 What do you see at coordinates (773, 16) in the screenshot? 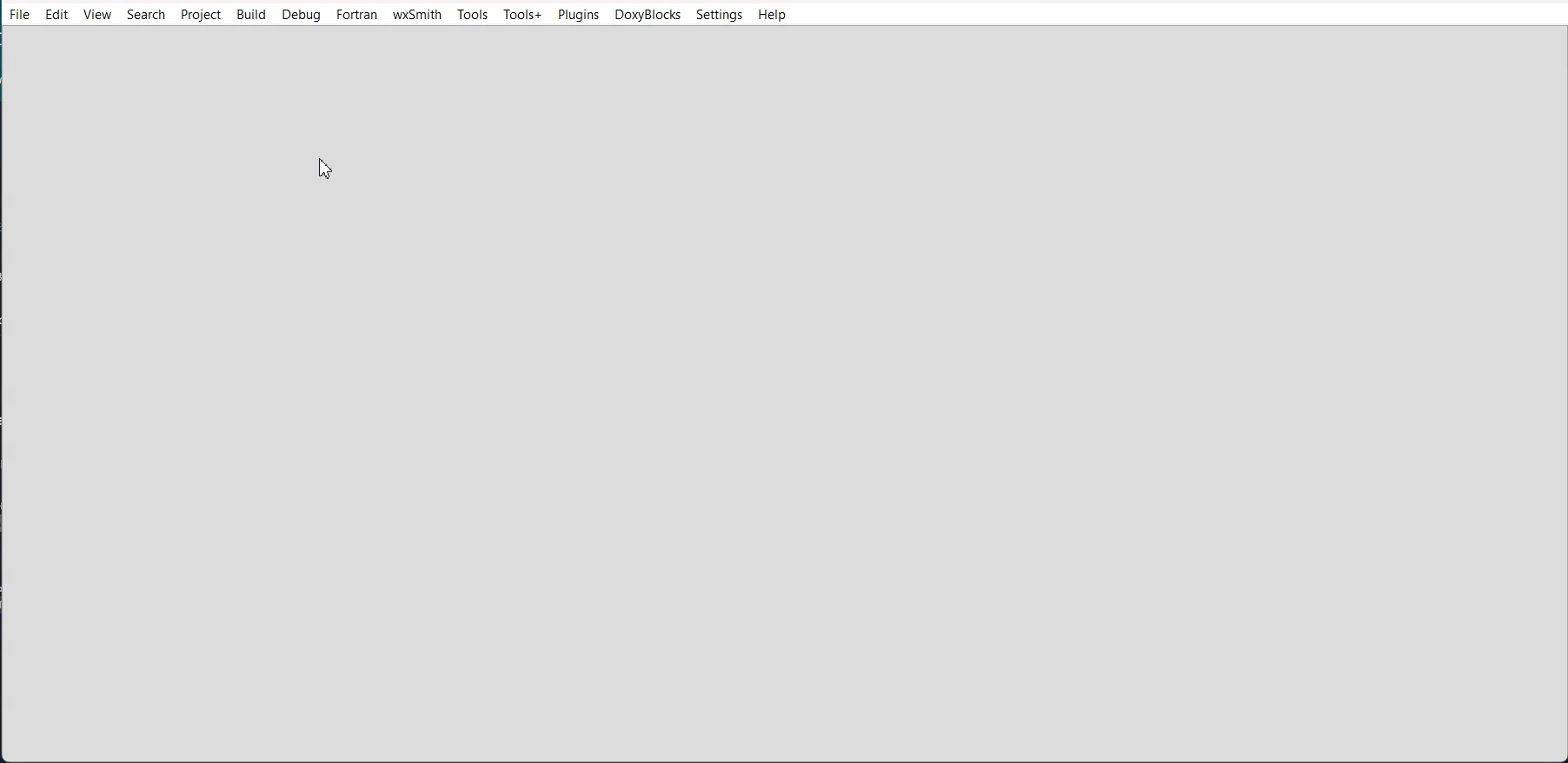
I see `Help` at bounding box center [773, 16].